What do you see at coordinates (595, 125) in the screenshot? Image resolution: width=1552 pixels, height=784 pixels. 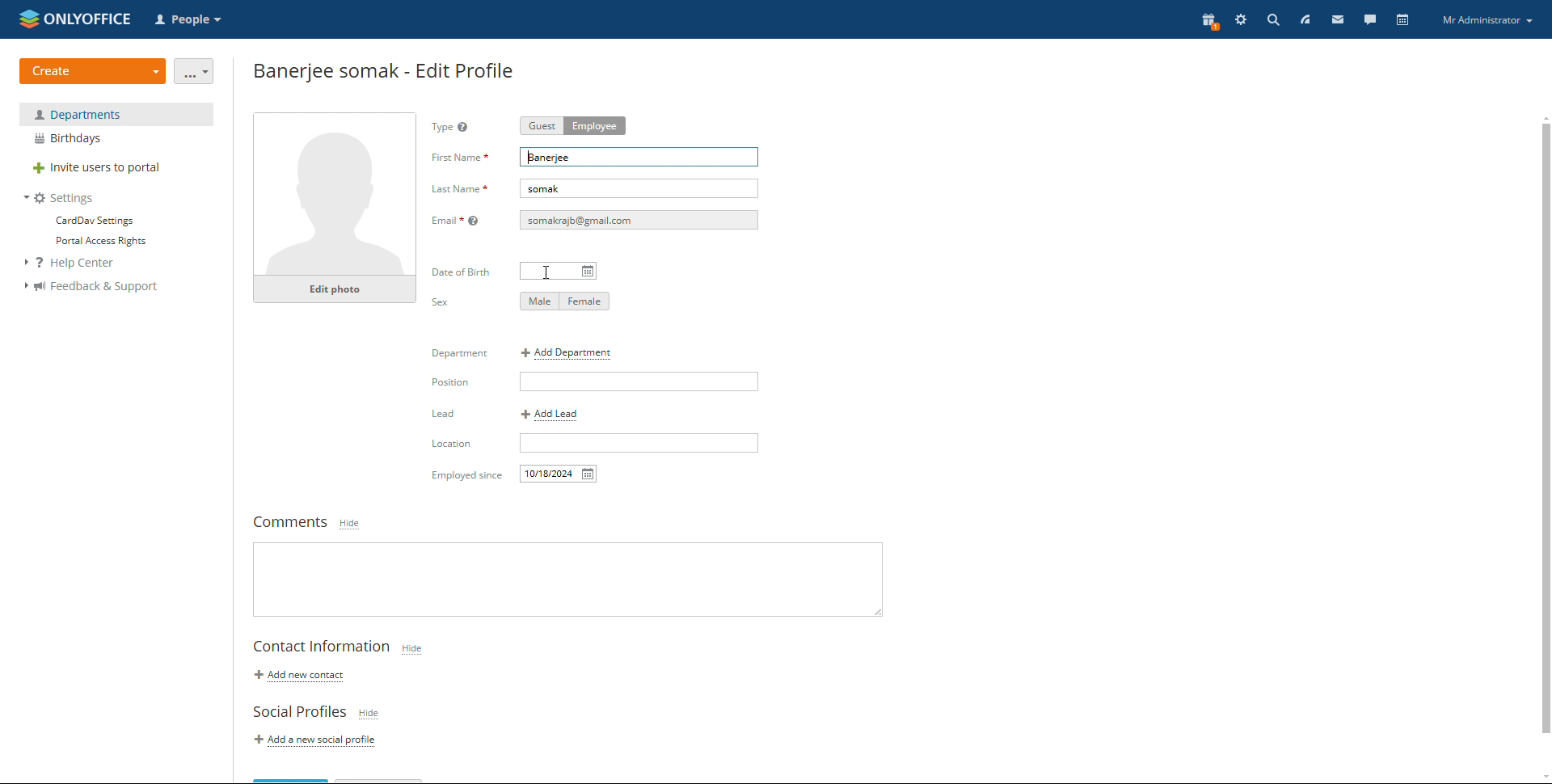 I see `employee` at bounding box center [595, 125].